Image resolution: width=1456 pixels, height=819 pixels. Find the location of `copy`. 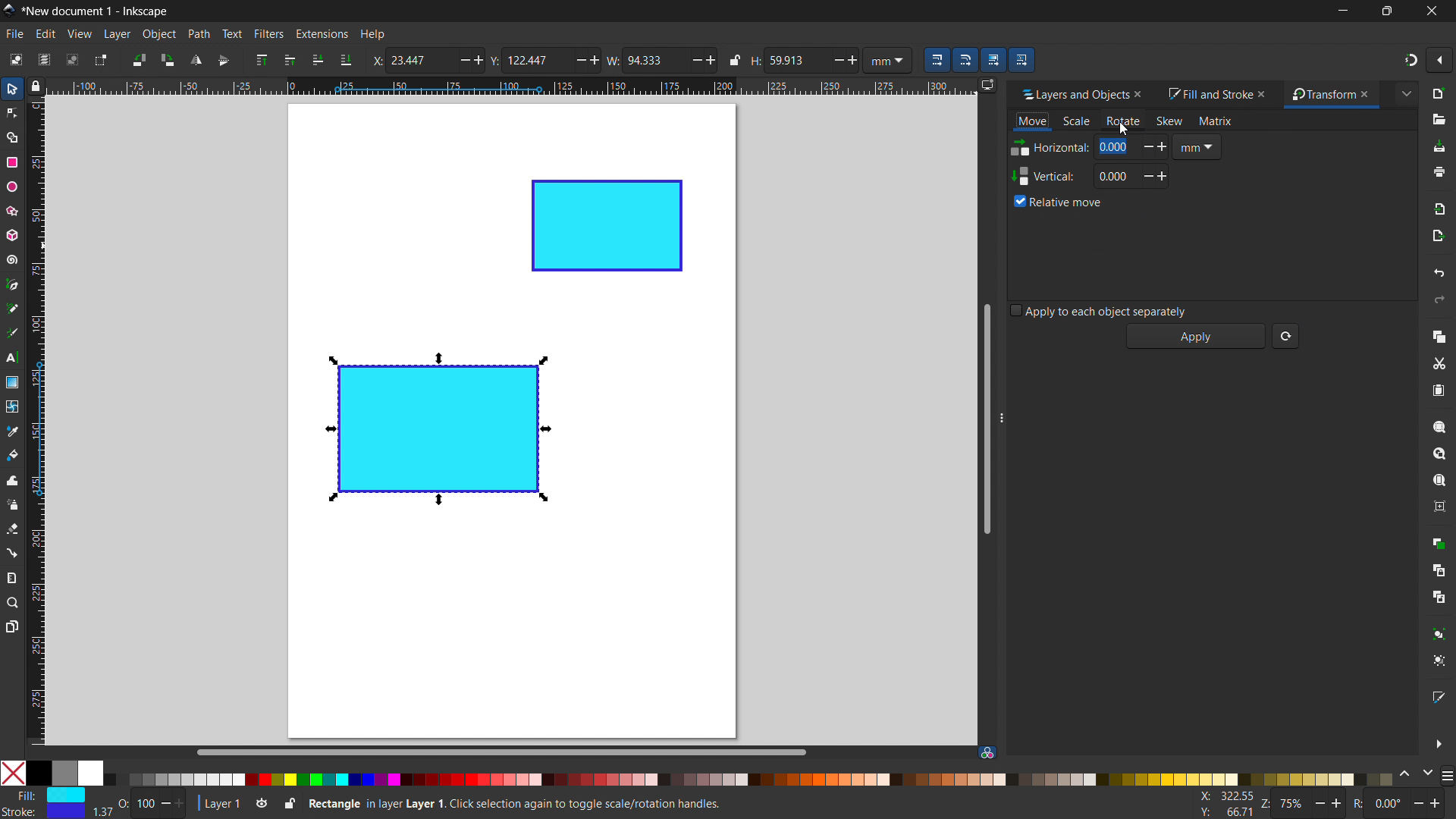

copy is located at coordinates (1439, 336).